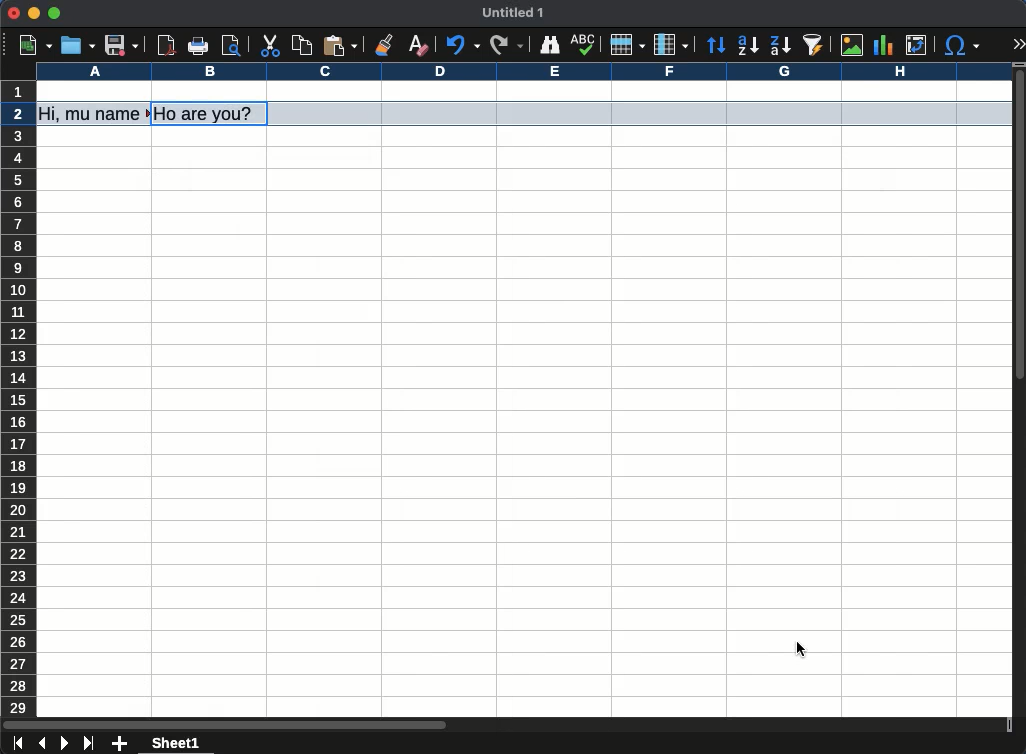  What do you see at coordinates (1020, 45) in the screenshot?
I see `expand` at bounding box center [1020, 45].